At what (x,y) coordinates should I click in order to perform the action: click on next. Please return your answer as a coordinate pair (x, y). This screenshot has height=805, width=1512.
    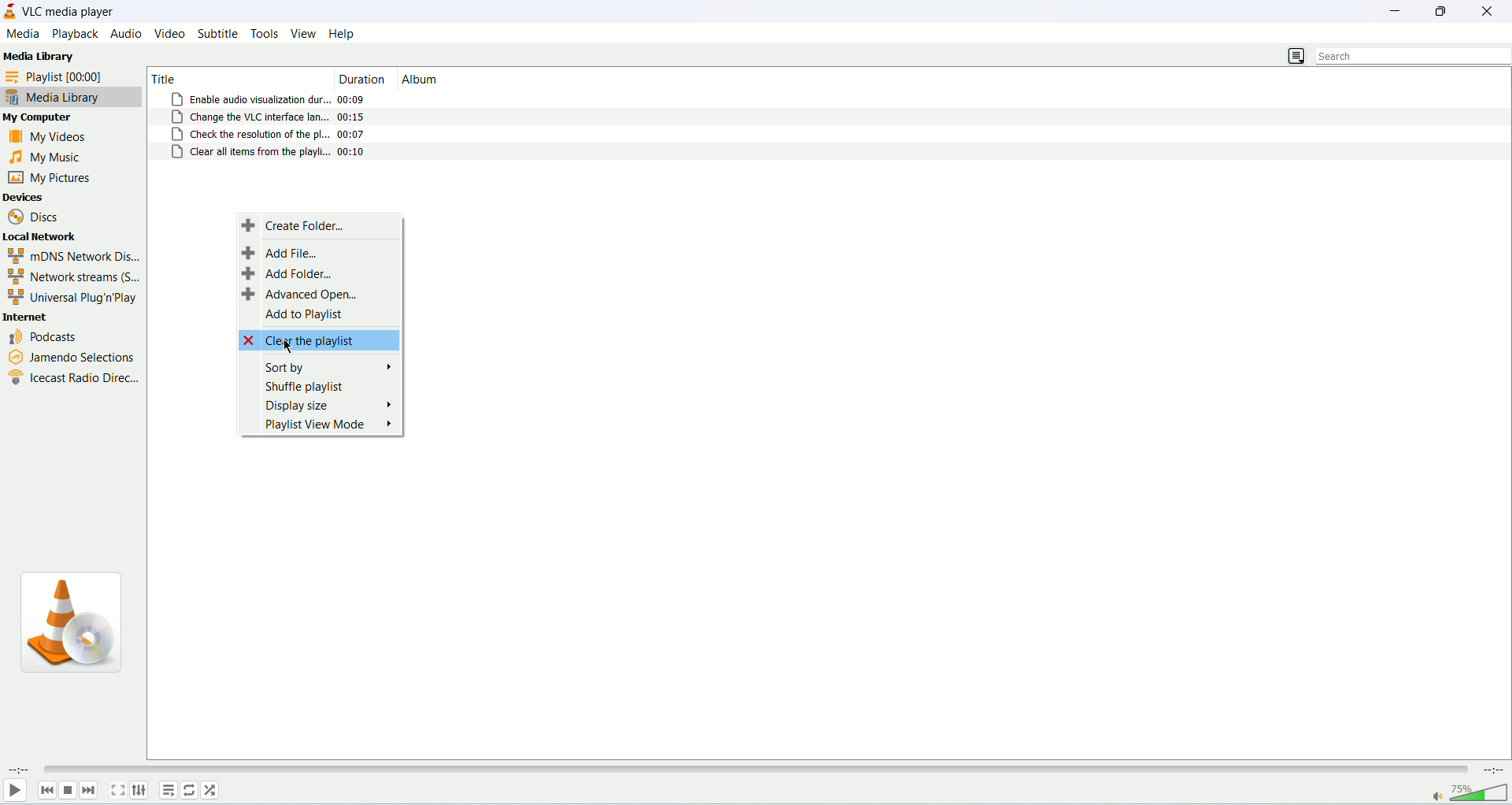
    Looking at the image, I should click on (91, 790).